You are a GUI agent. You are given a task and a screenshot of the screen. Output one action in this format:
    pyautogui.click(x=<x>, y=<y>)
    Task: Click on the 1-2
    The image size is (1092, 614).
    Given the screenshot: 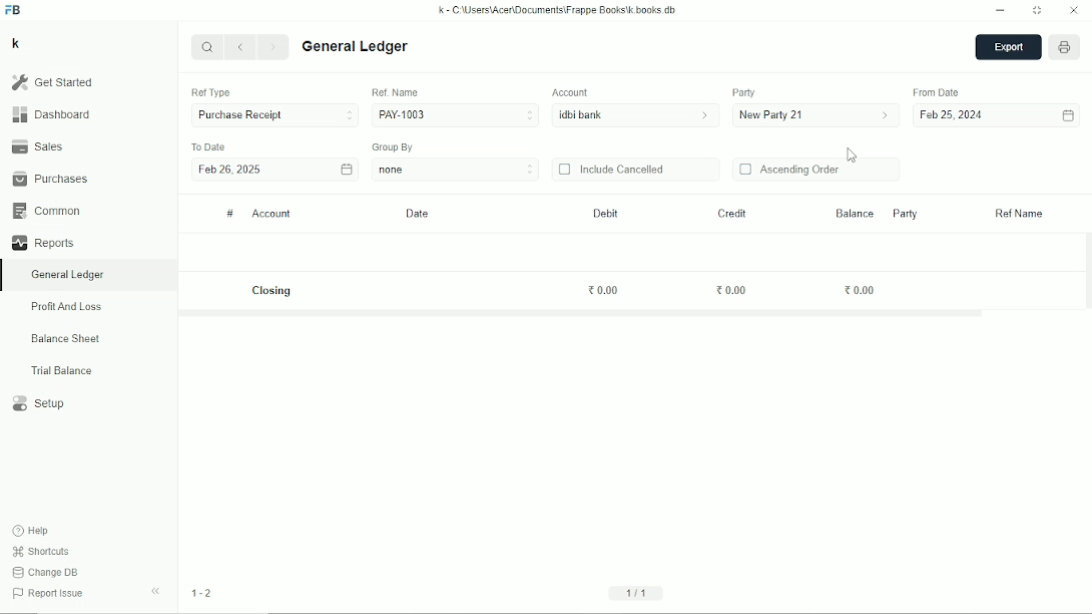 What is the action you would take?
    pyautogui.click(x=202, y=593)
    